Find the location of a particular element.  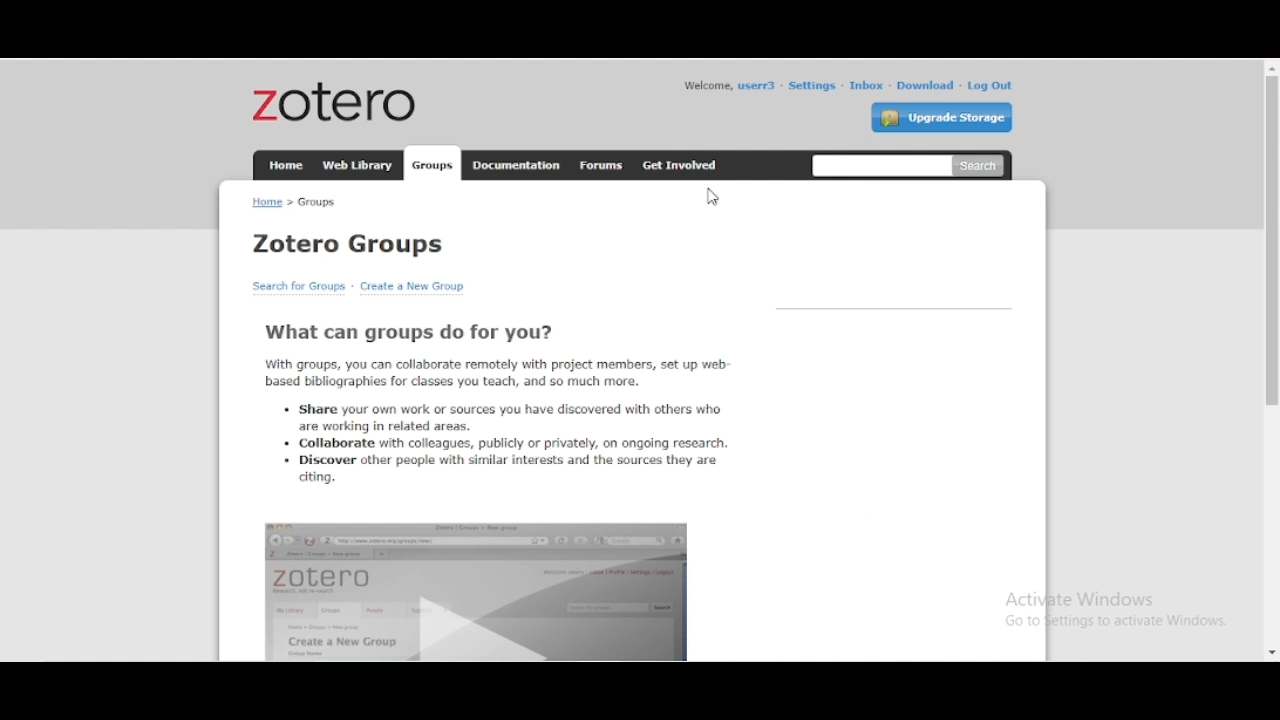

documentation is located at coordinates (514, 164).